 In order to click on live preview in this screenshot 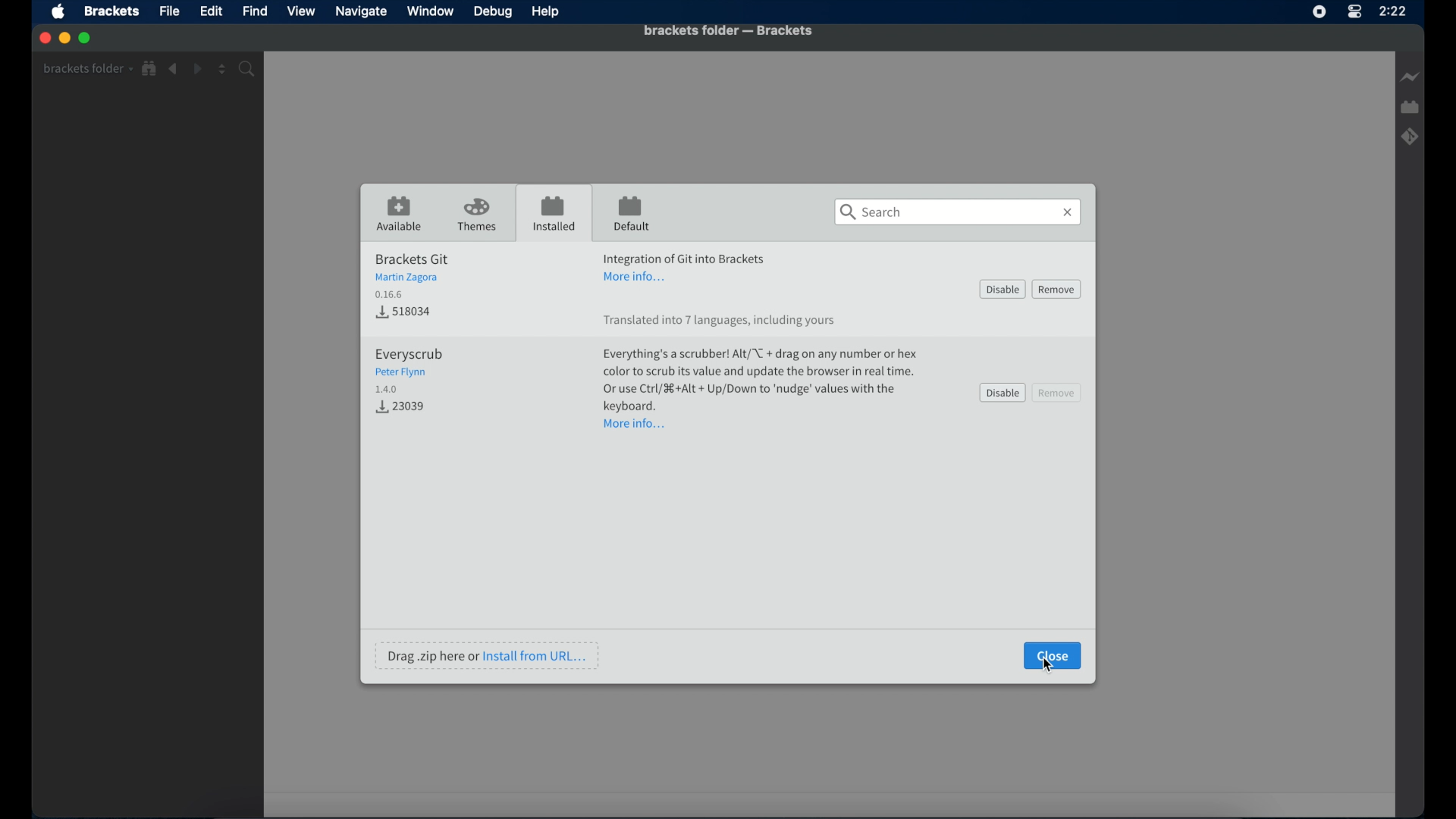, I will do `click(1408, 77)`.